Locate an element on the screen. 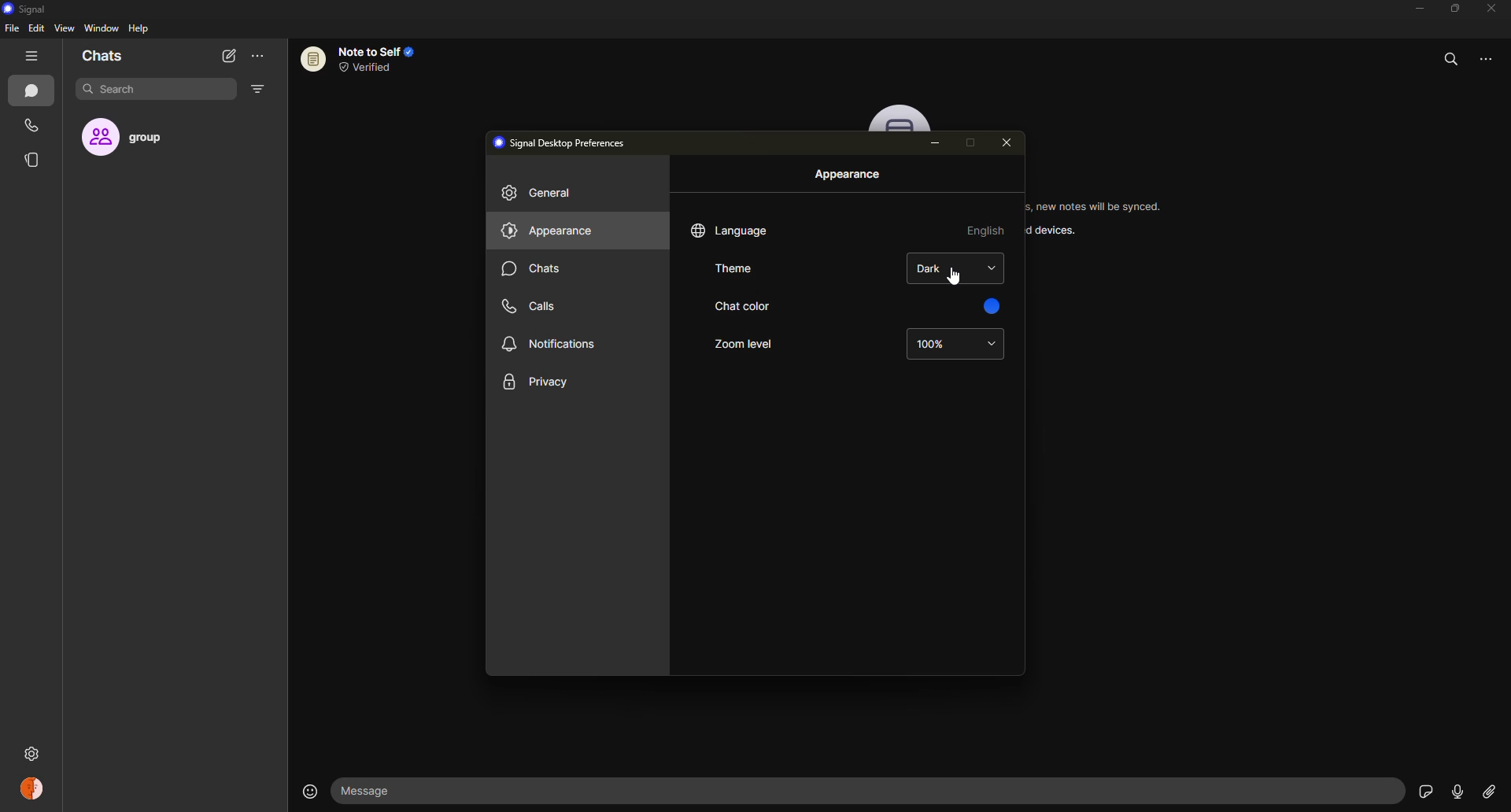  chats is located at coordinates (534, 268).